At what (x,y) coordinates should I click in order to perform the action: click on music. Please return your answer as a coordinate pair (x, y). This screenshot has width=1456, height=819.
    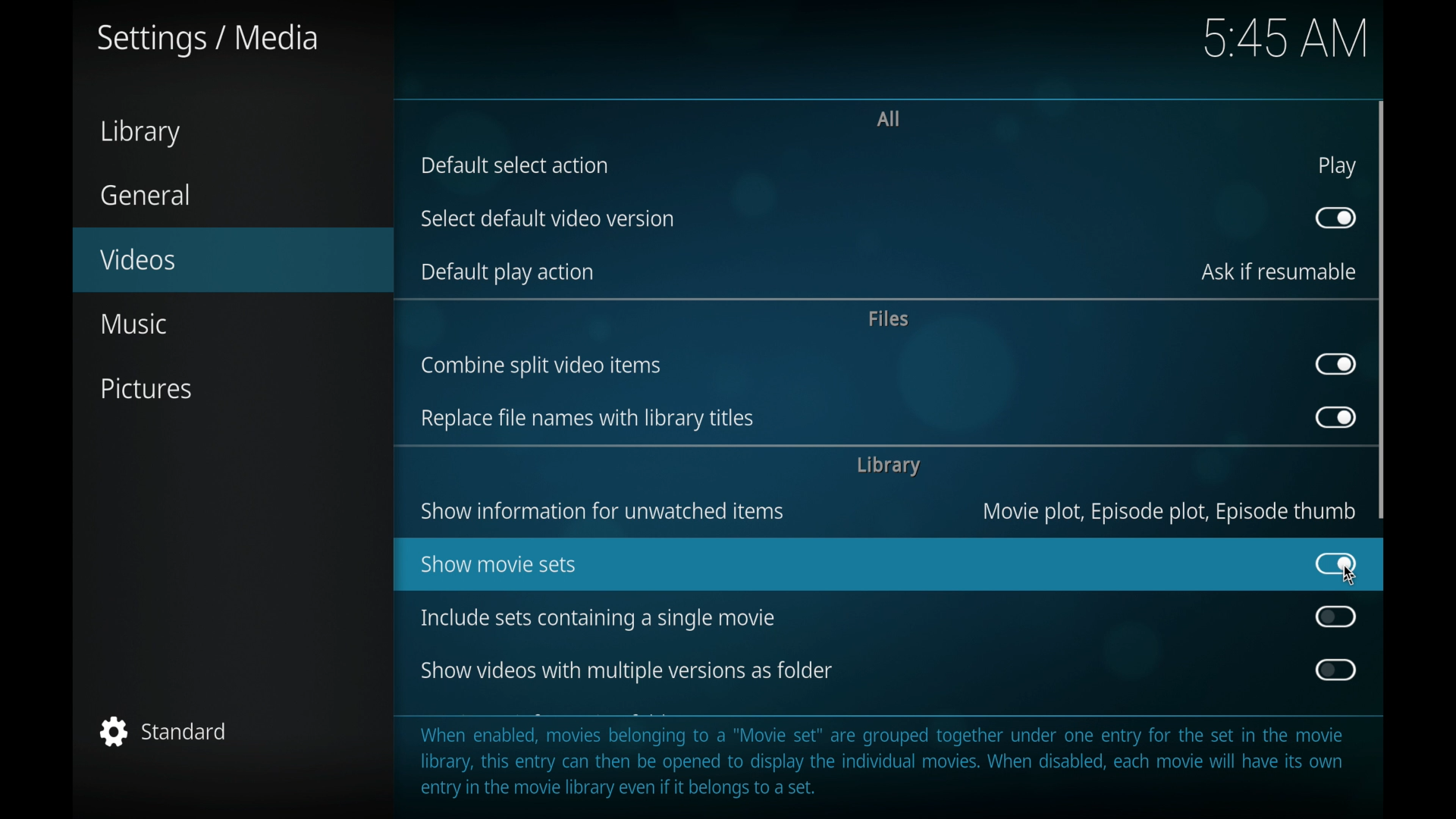
    Looking at the image, I should click on (133, 324).